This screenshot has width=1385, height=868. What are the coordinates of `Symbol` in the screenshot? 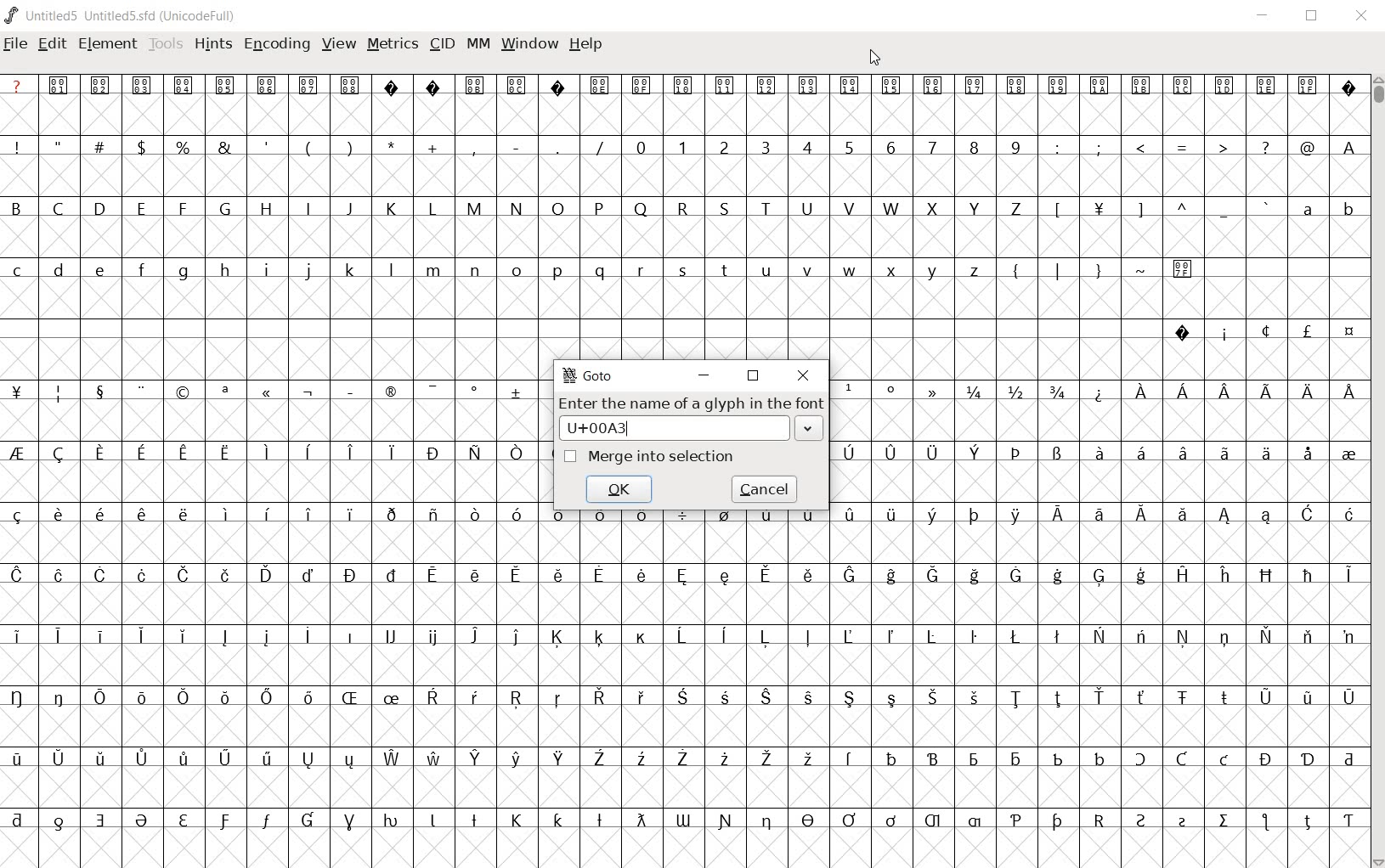 It's located at (143, 84).